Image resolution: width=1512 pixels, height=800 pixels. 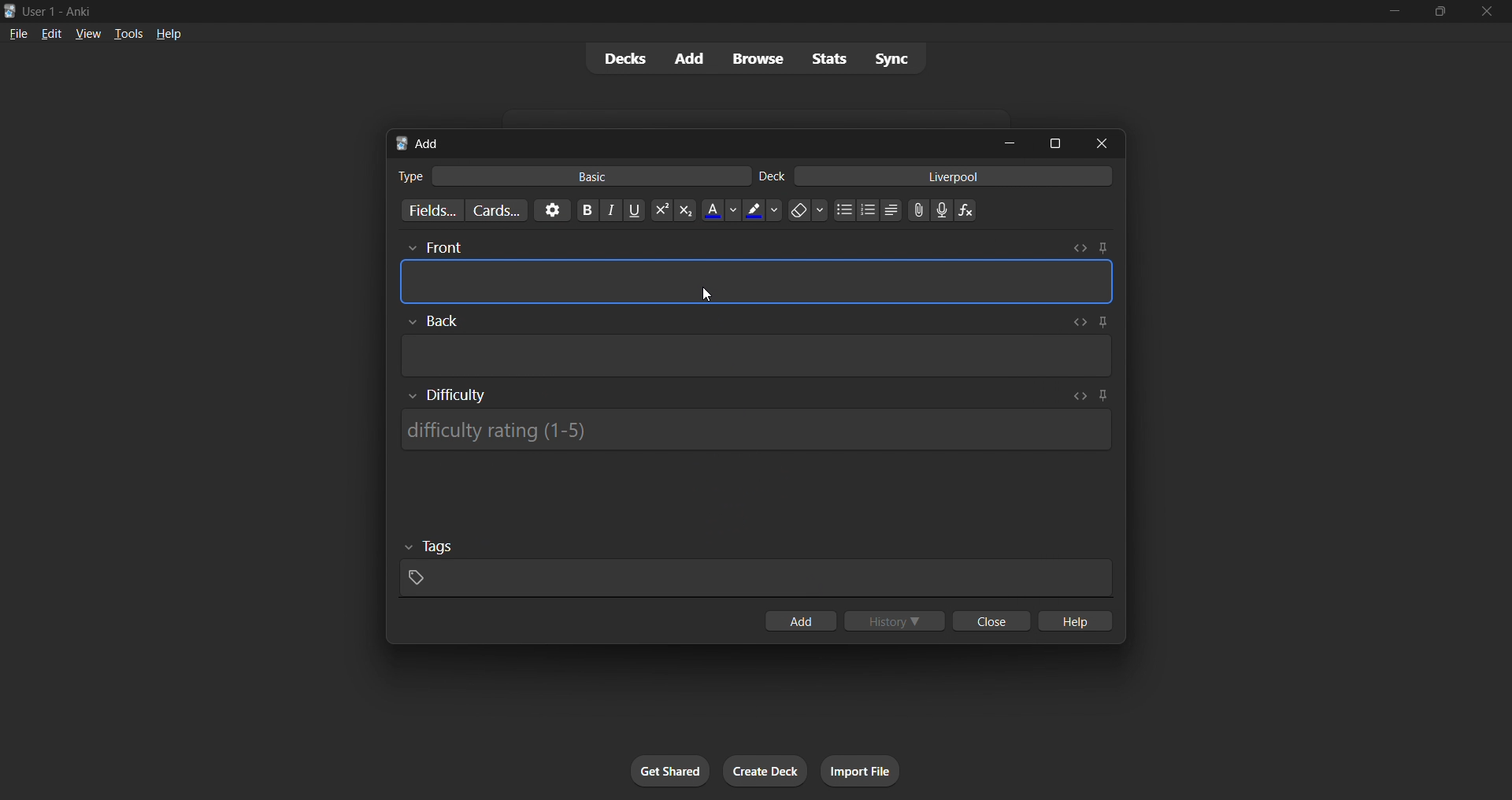 I want to click on Bold, so click(x=587, y=210).